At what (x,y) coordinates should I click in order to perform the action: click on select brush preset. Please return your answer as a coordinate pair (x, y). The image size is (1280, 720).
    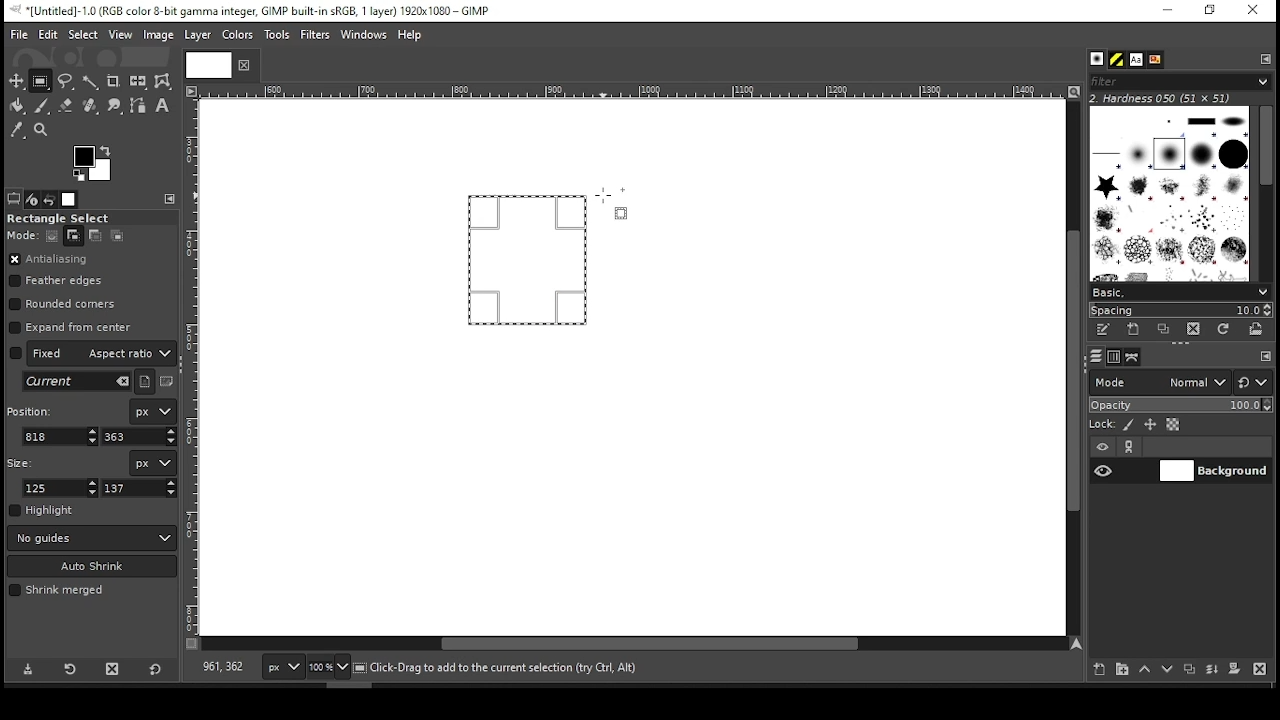
    Looking at the image, I should click on (1182, 291).